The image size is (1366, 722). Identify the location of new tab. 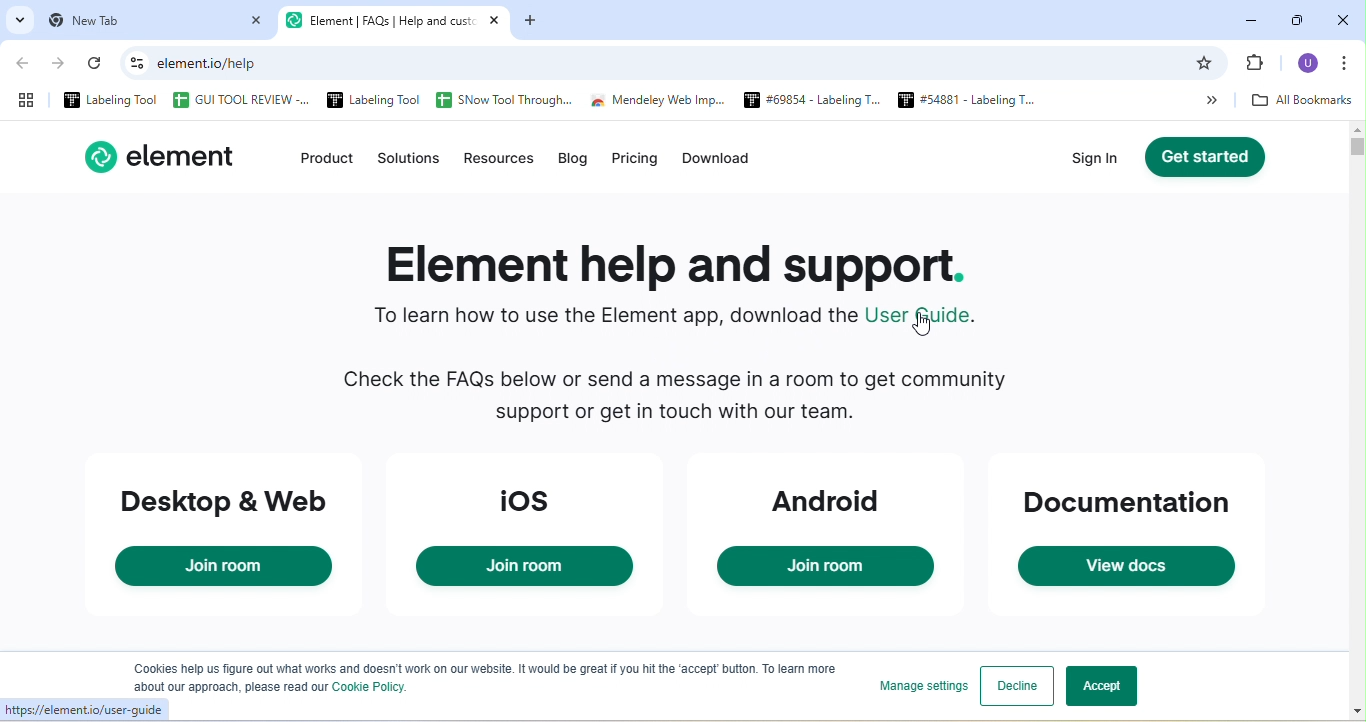
(154, 23).